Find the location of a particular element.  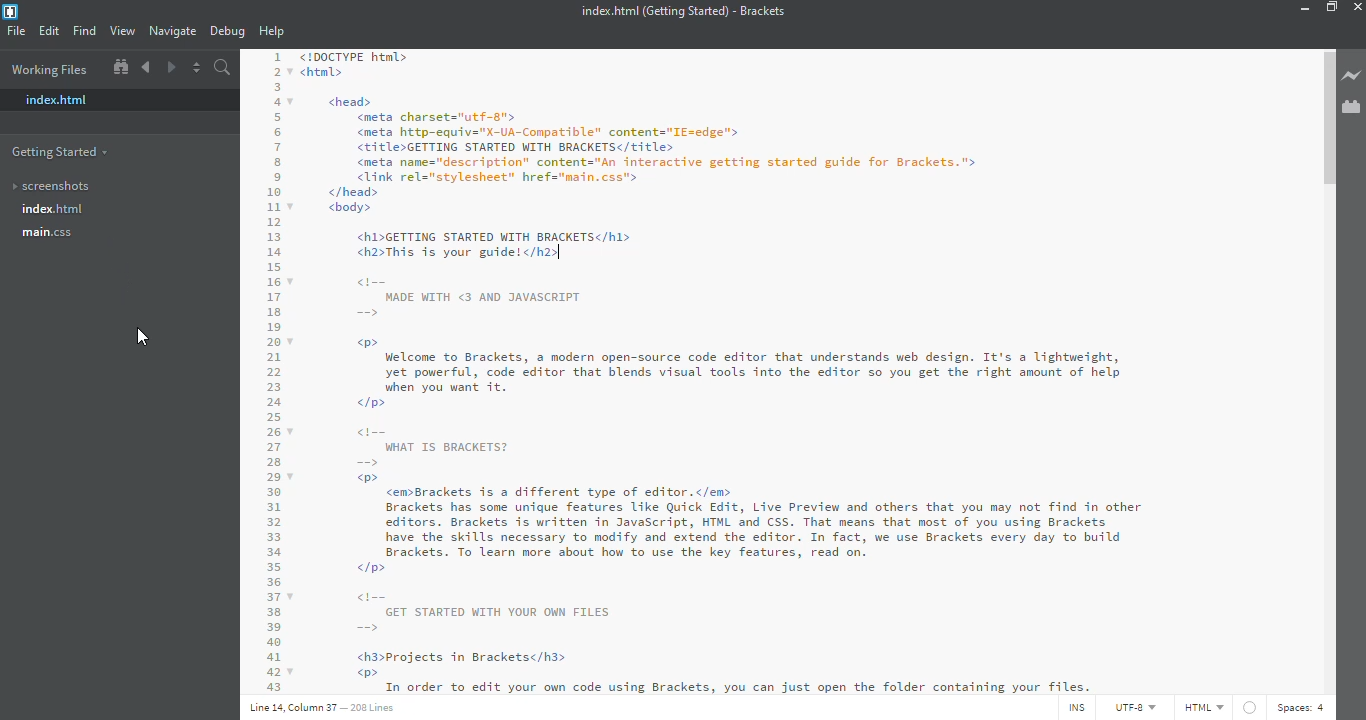

go back is located at coordinates (146, 67).